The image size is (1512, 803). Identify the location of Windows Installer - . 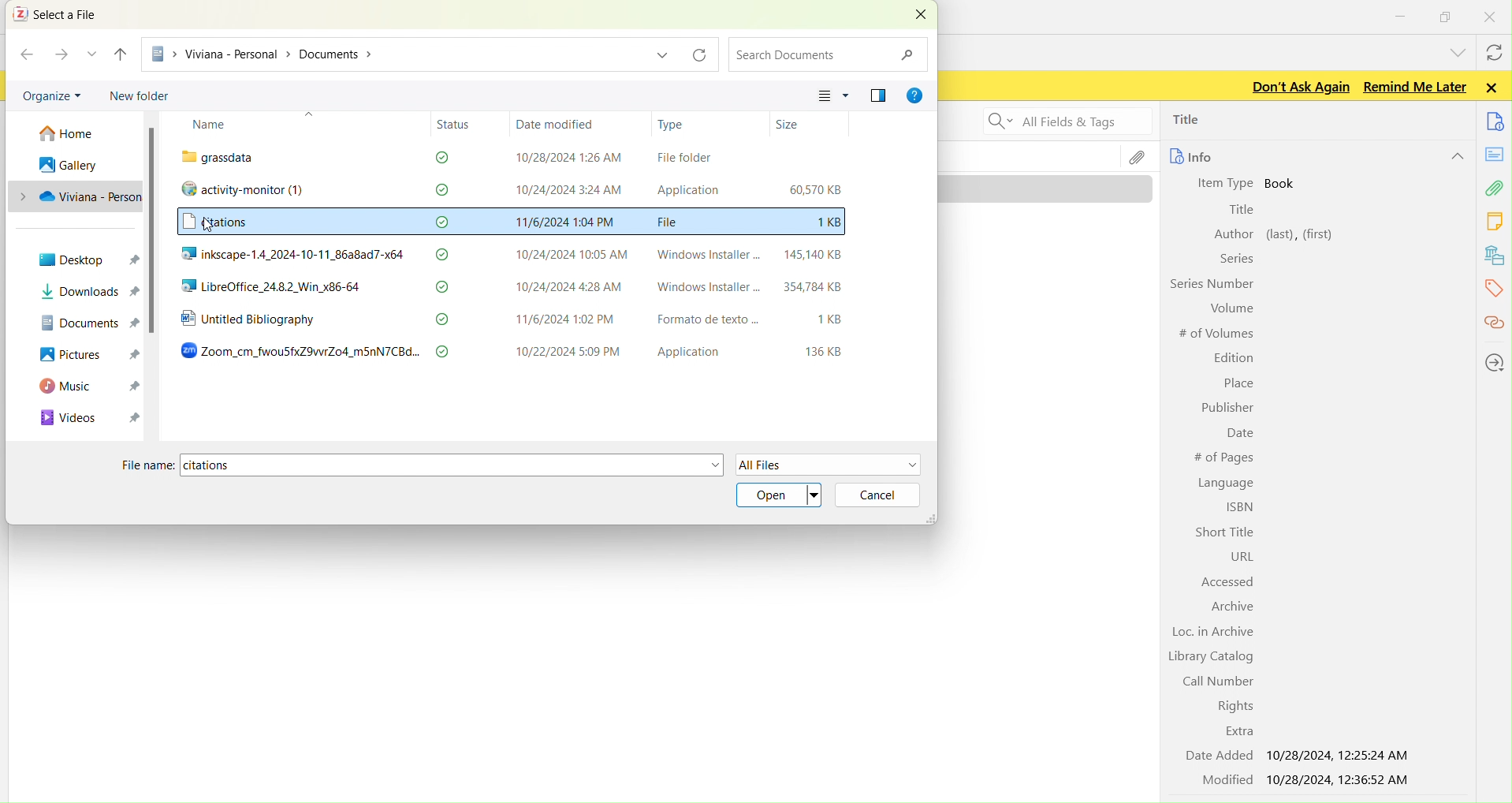
(708, 287).